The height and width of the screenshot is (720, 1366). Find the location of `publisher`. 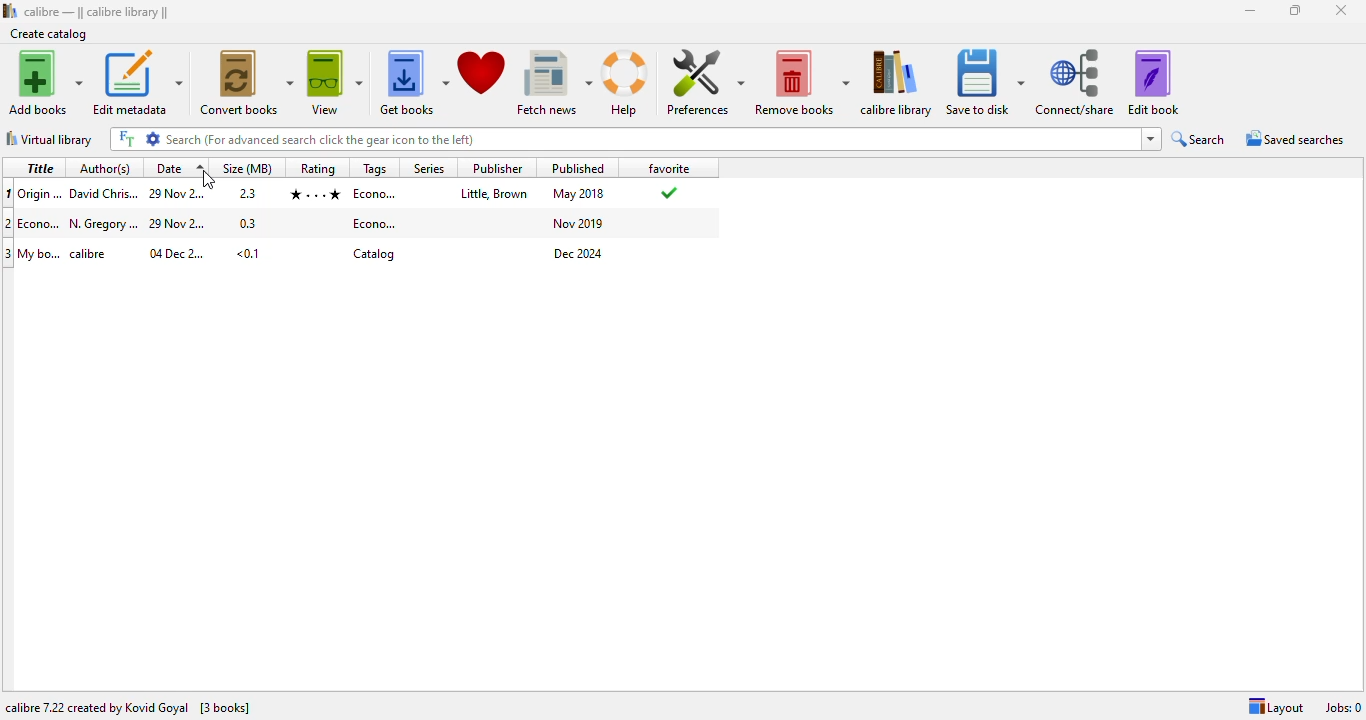

publisher is located at coordinates (494, 194).